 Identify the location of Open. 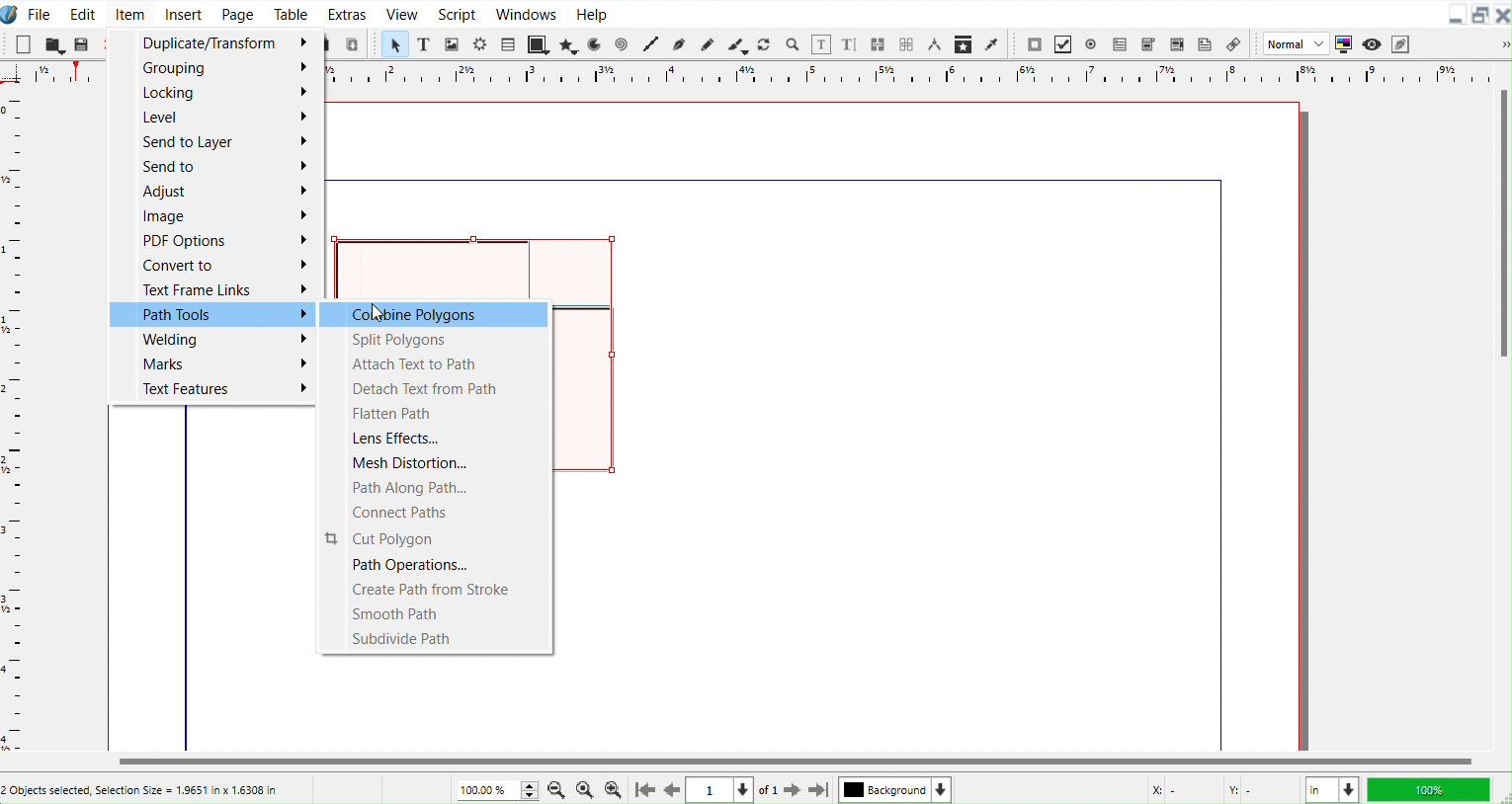
(55, 43).